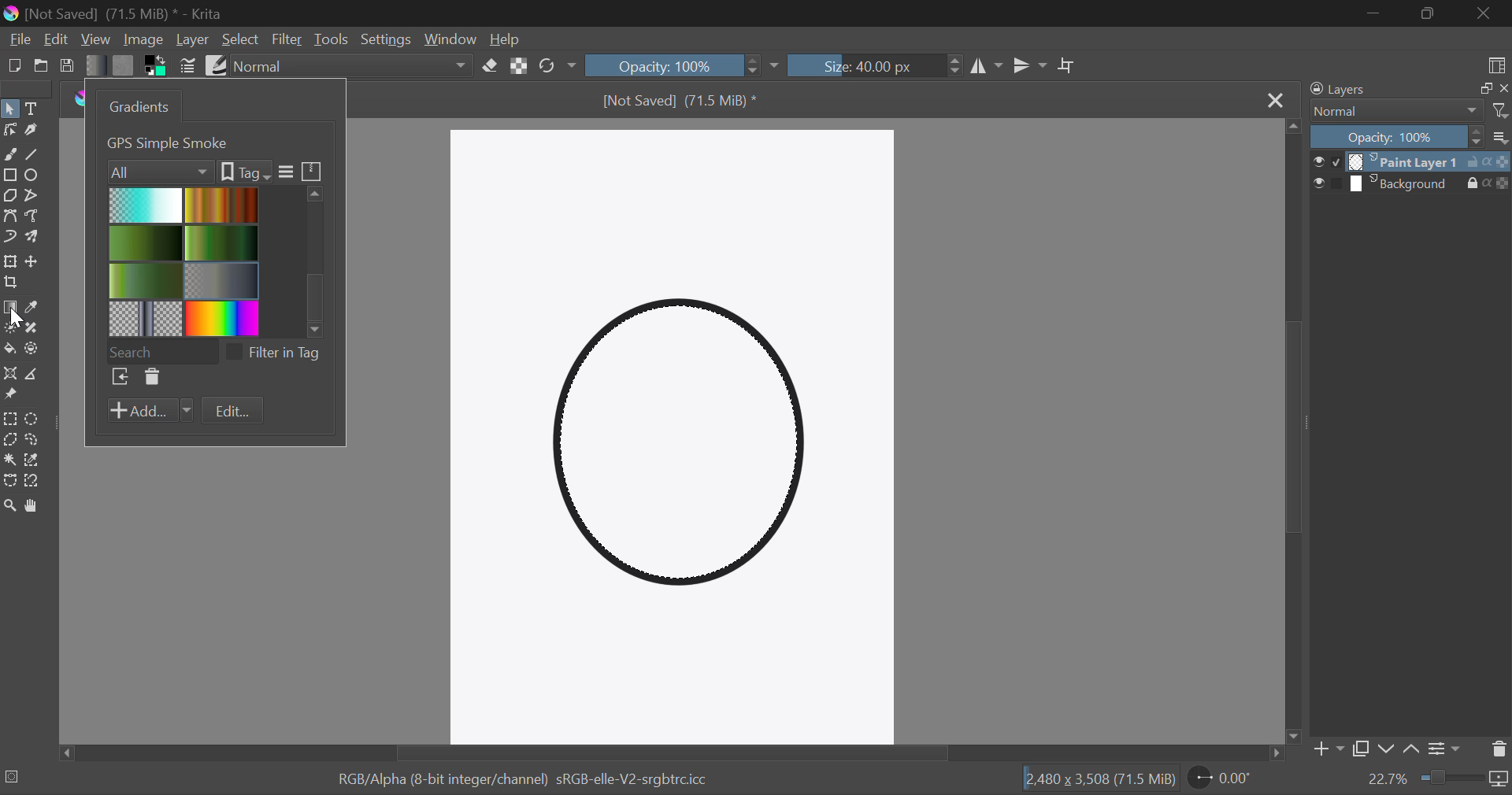 The image size is (1512, 795). I want to click on Brush Settings, so click(188, 67).